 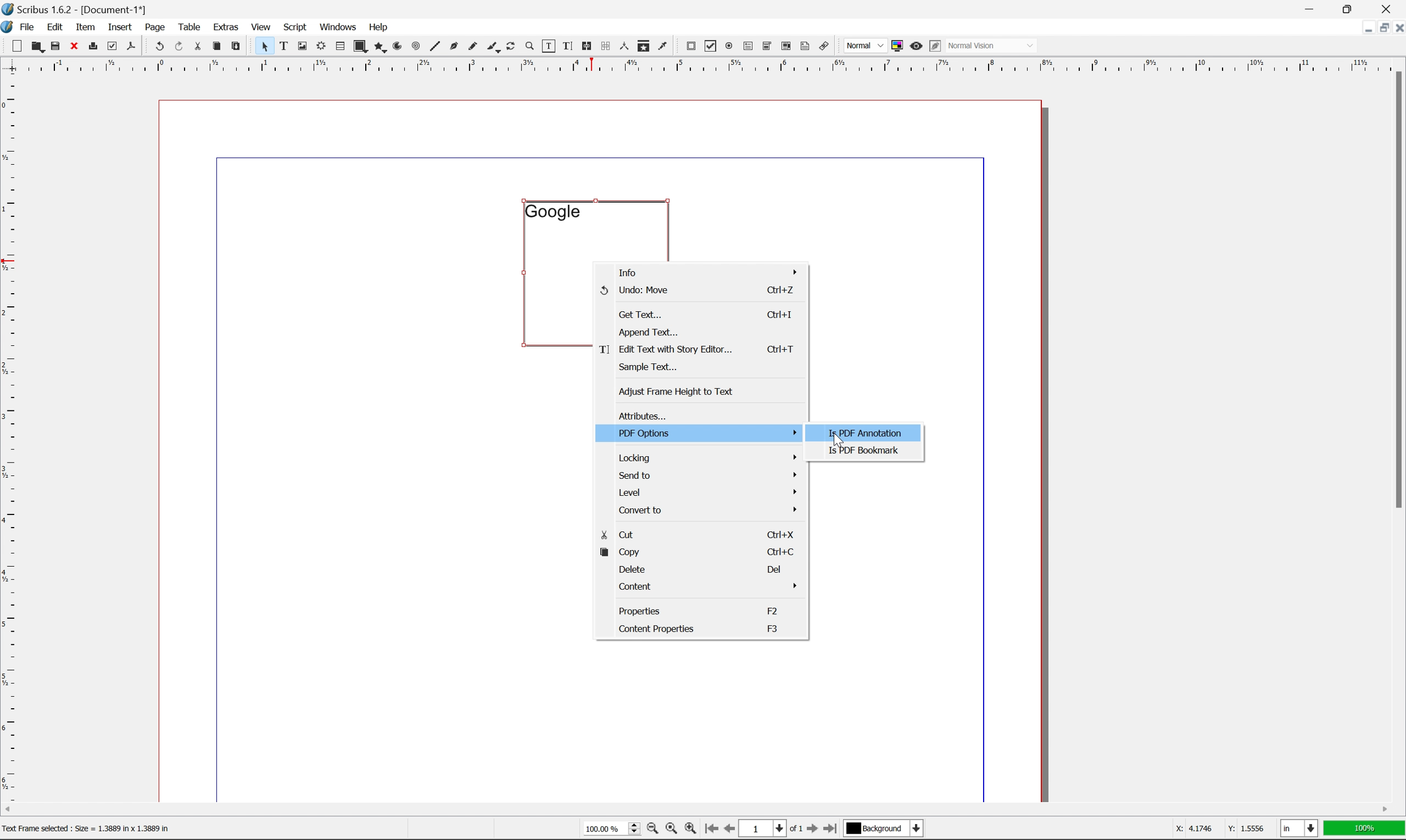 I want to click on image frame, so click(x=302, y=47).